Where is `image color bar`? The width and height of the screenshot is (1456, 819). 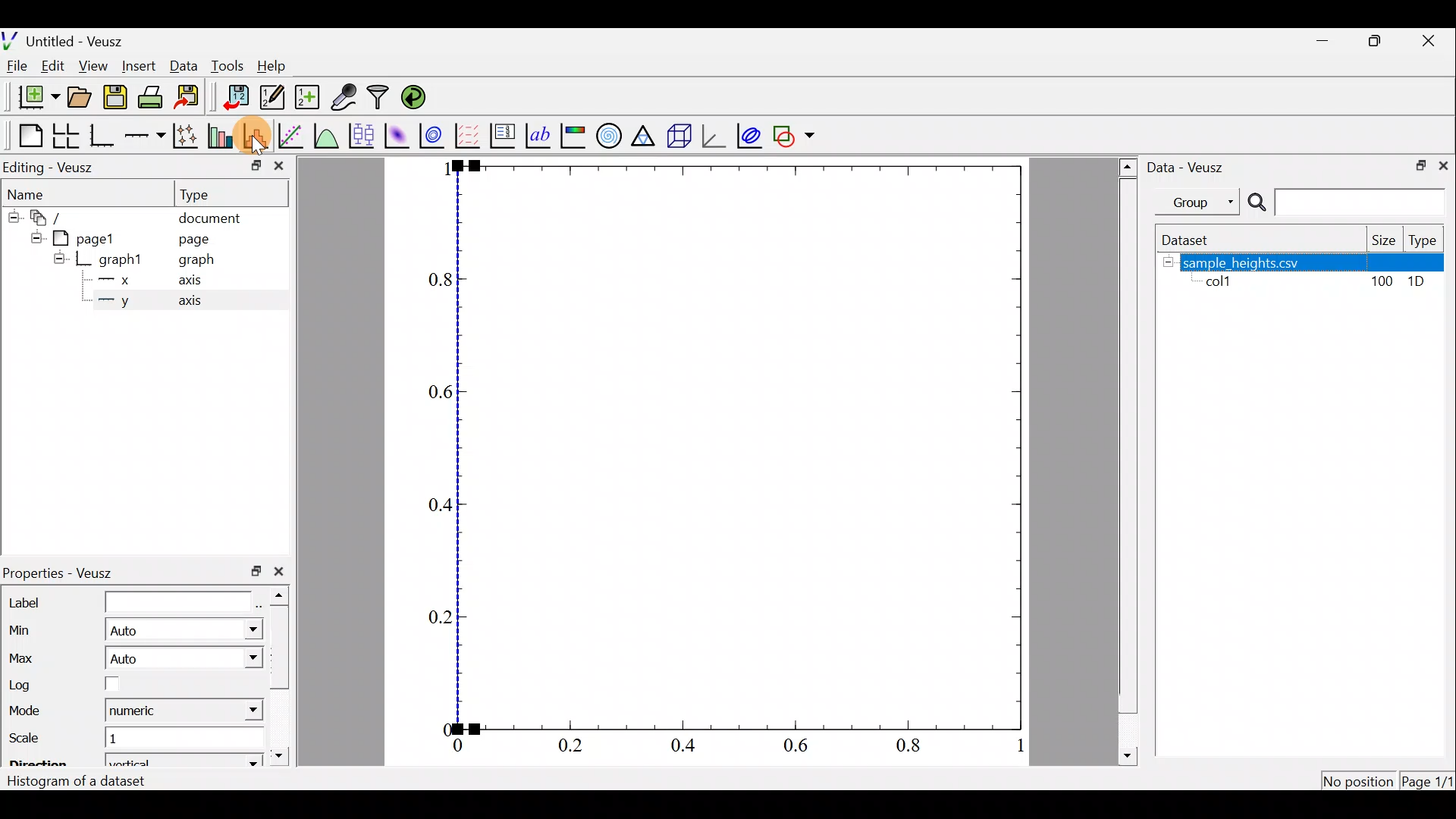
image color bar is located at coordinates (575, 135).